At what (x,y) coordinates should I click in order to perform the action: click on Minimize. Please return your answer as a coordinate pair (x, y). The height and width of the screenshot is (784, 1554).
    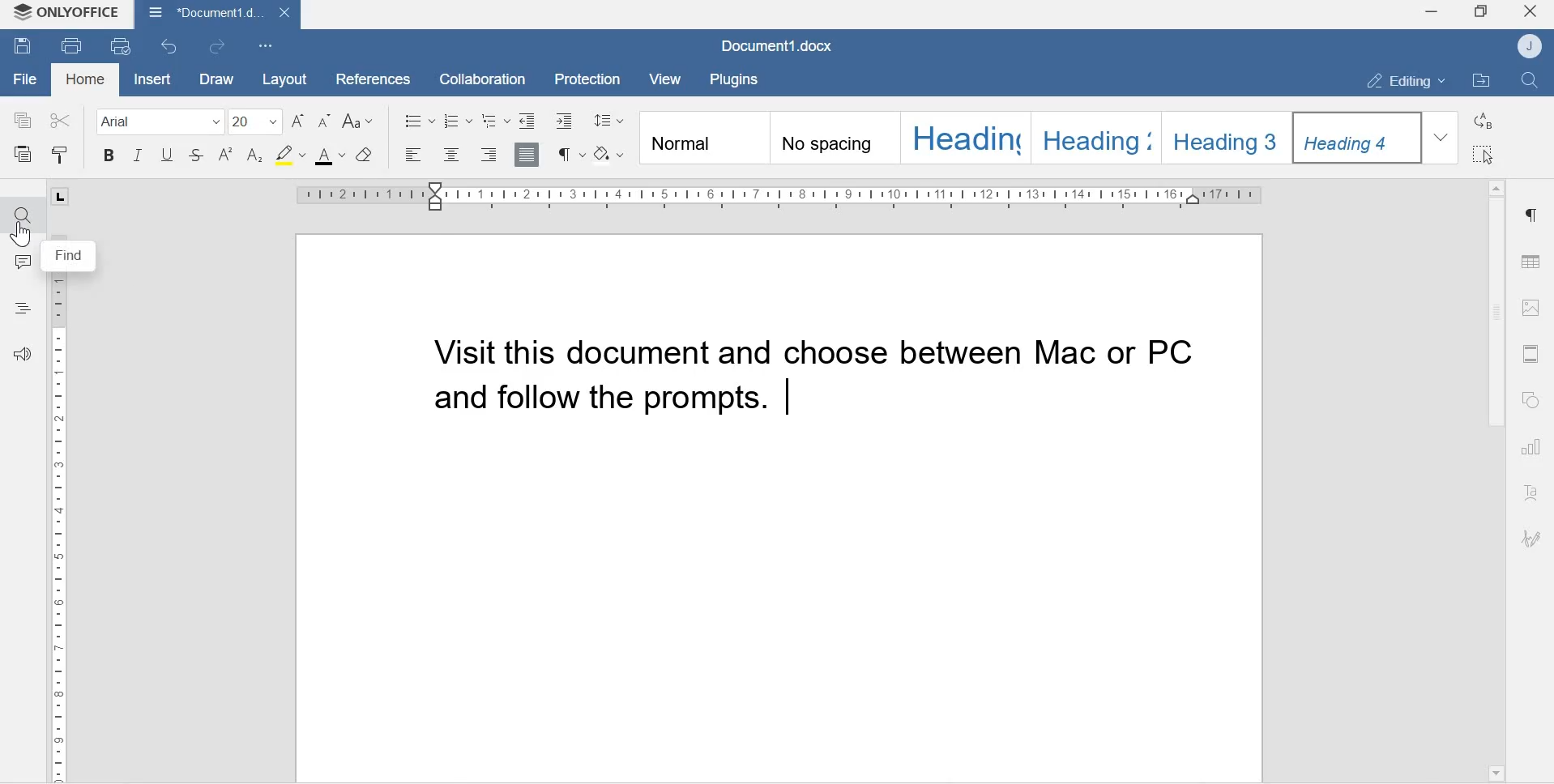
    Looking at the image, I should click on (1430, 14).